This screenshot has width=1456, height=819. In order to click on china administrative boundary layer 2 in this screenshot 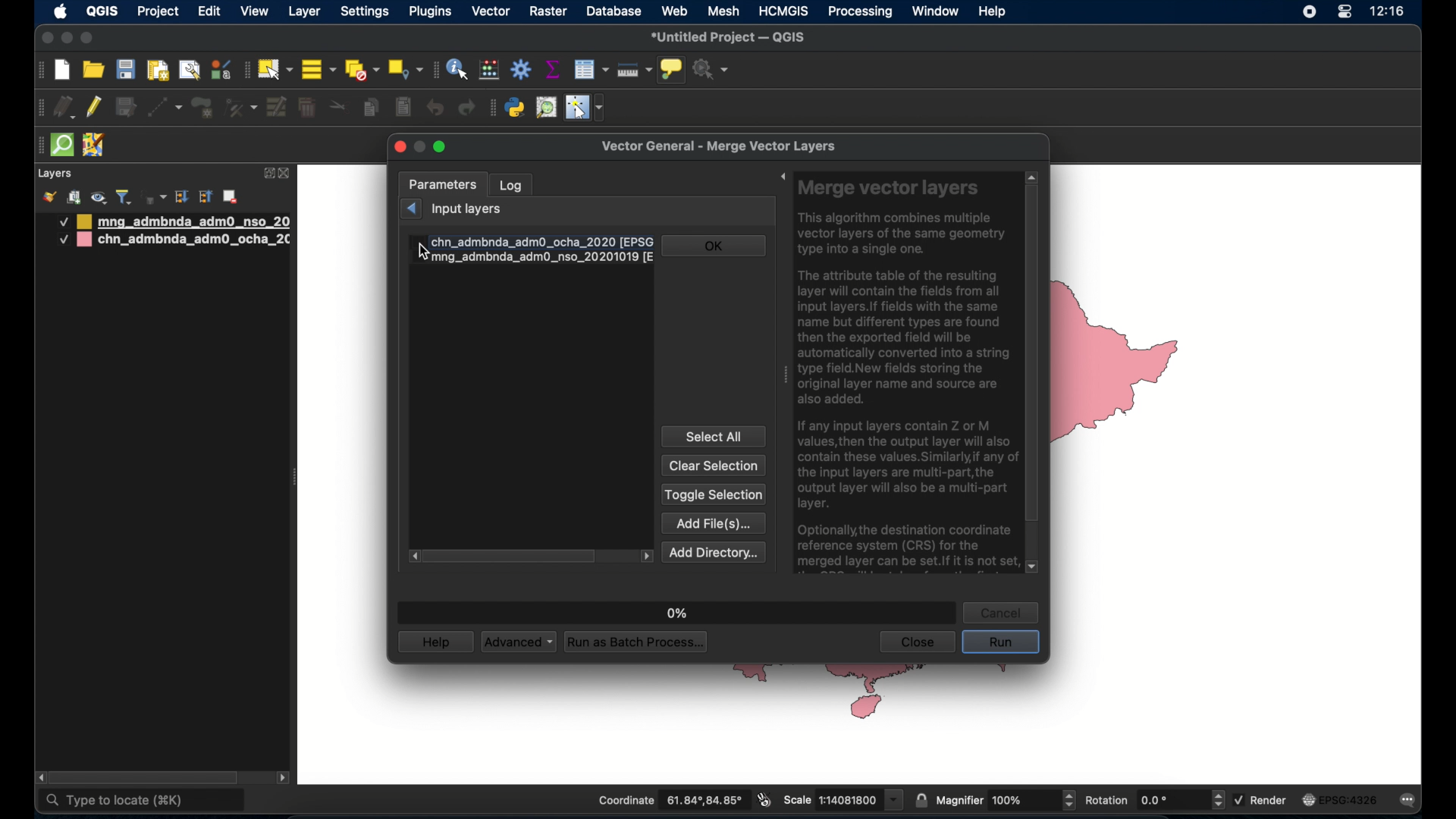, I will do `click(174, 241)`.